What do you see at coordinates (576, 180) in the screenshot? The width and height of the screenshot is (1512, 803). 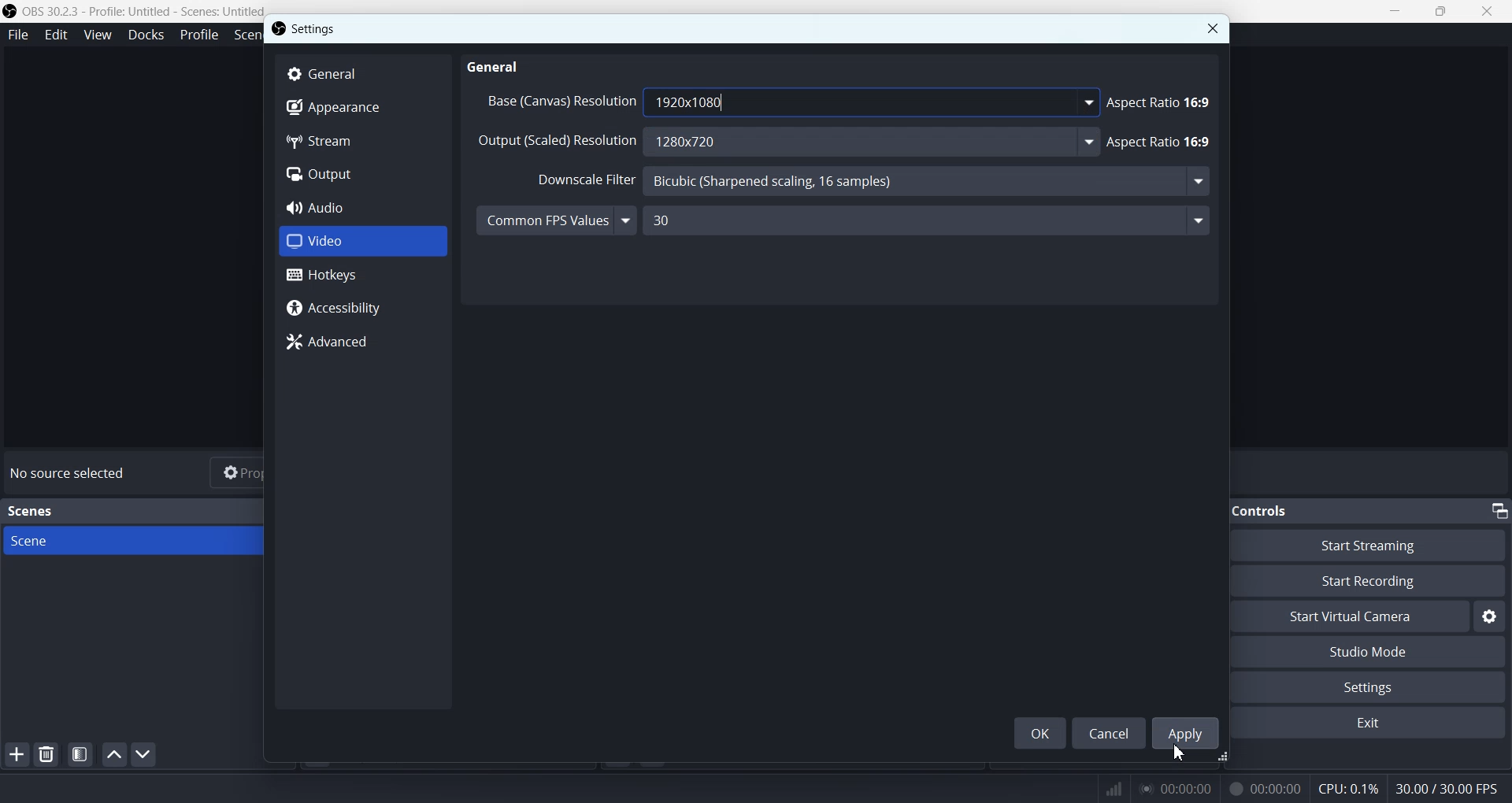 I see `Downscale filter` at bounding box center [576, 180].